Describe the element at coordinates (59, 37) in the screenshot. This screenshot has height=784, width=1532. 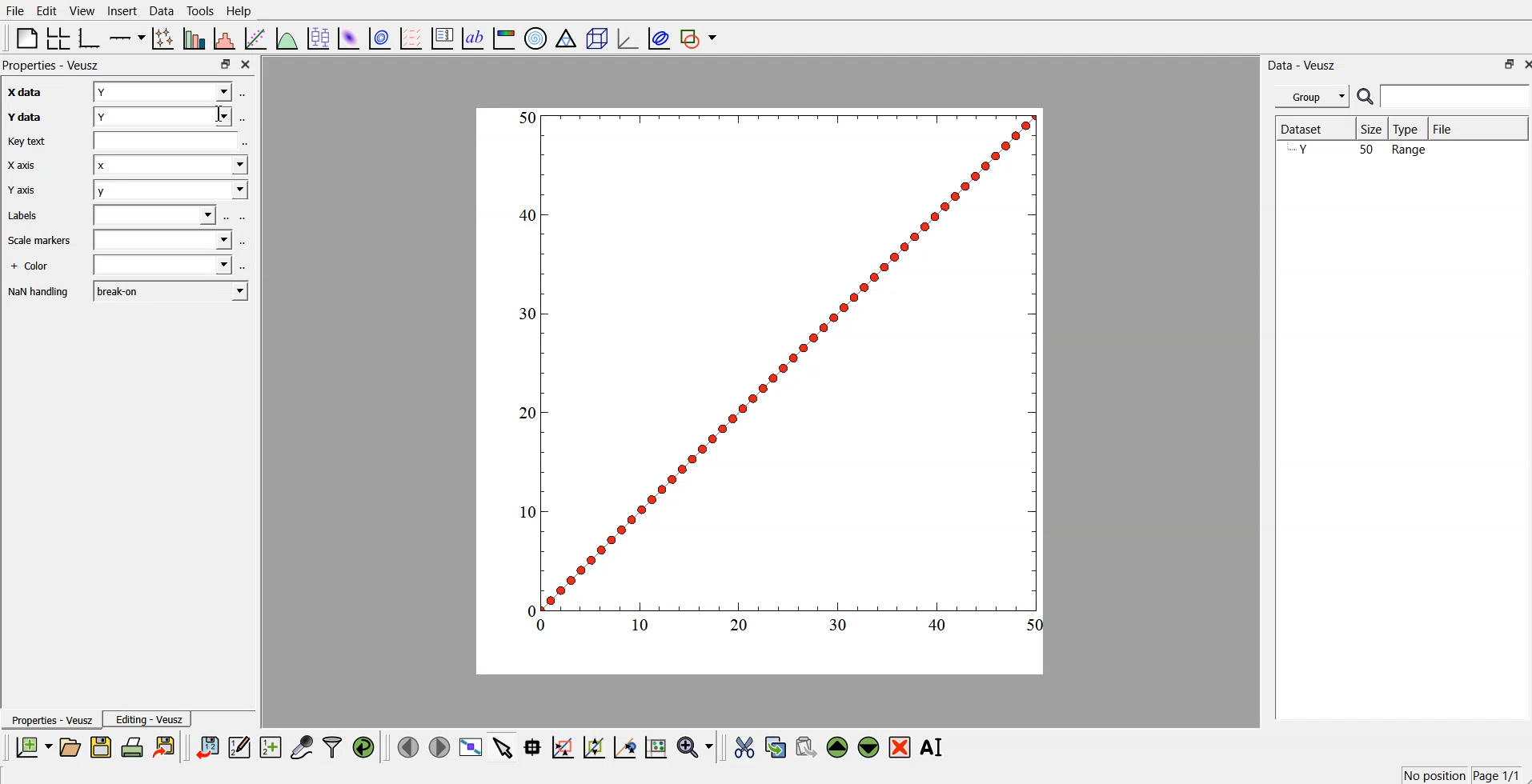
I see `arrange the graph` at that location.